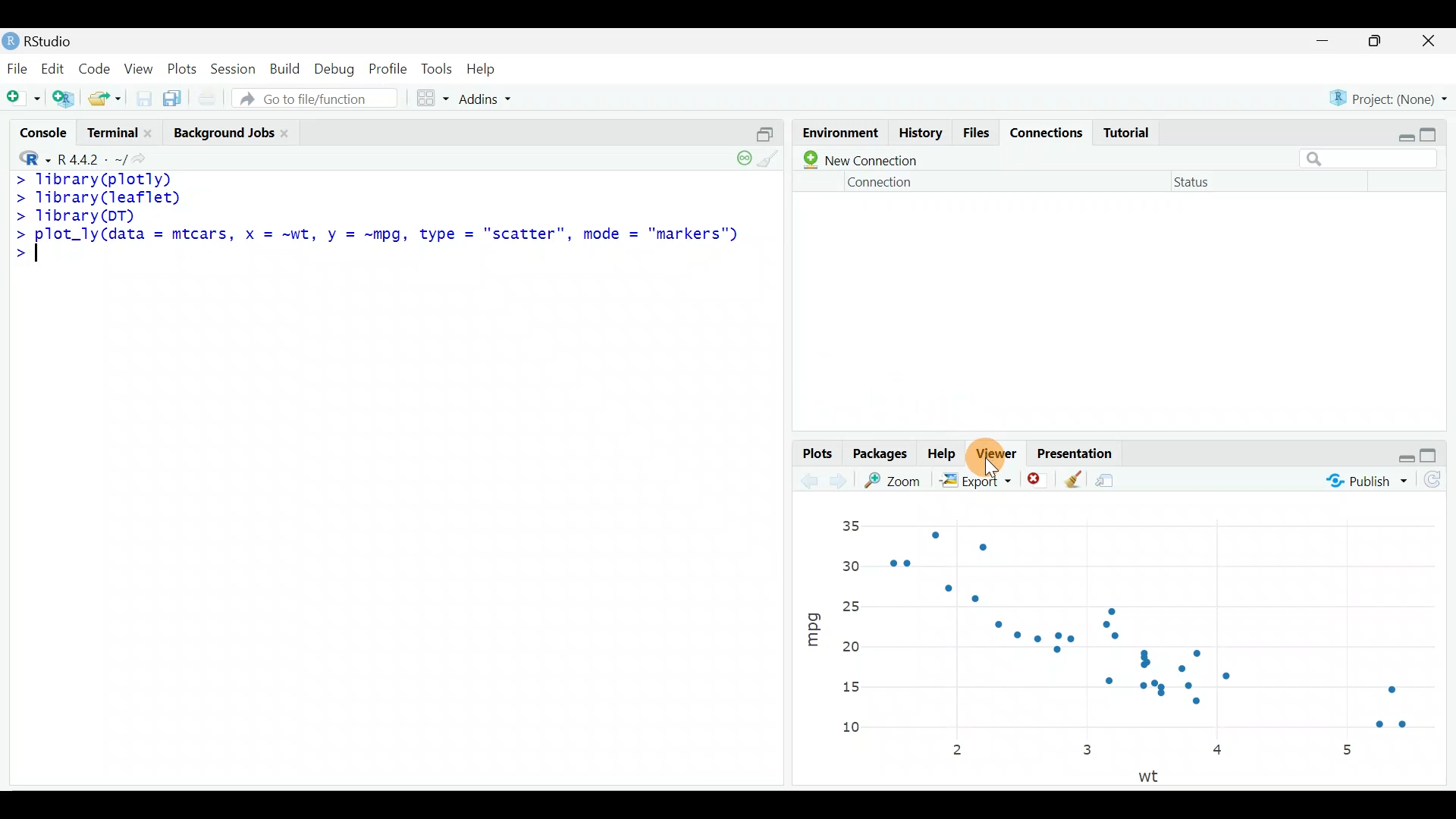 The width and height of the screenshot is (1456, 819). What do you see at coordinates (206, 99) in the screenshot?
I see `Print current file` at bounding box center [206, 99].